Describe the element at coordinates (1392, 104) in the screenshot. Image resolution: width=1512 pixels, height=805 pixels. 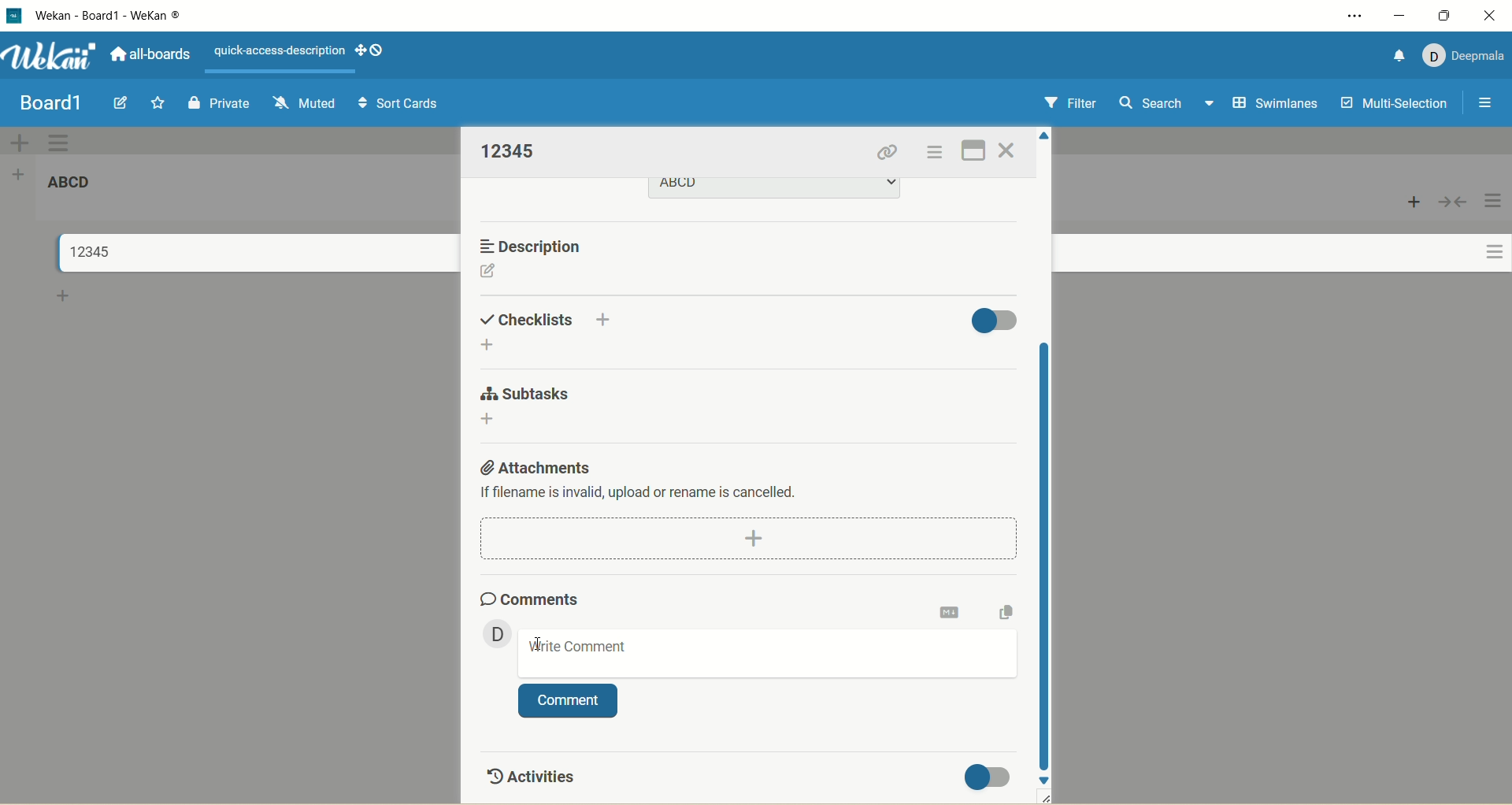
I see `multi-selection` at that location.